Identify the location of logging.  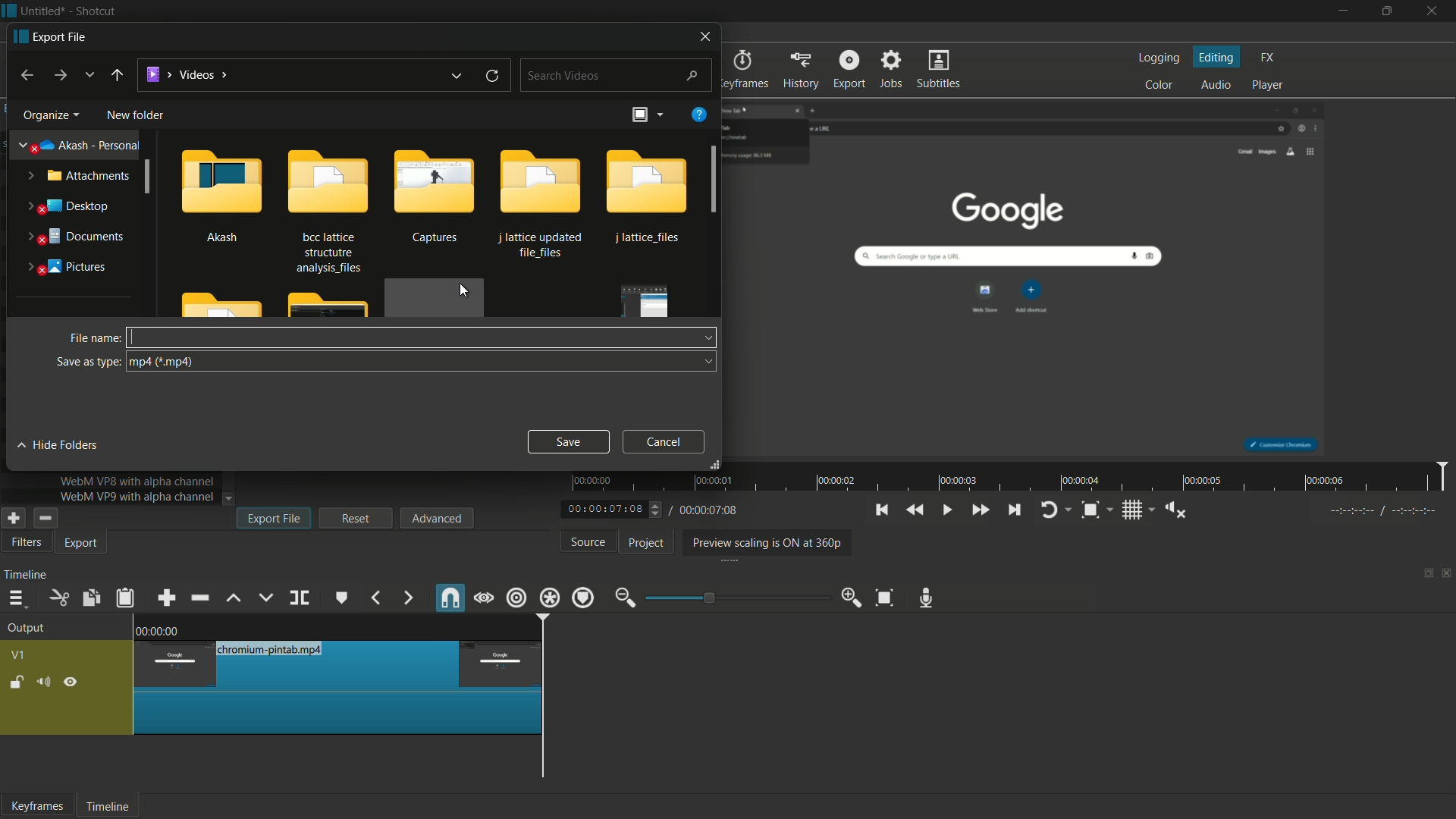
(1157, 59).